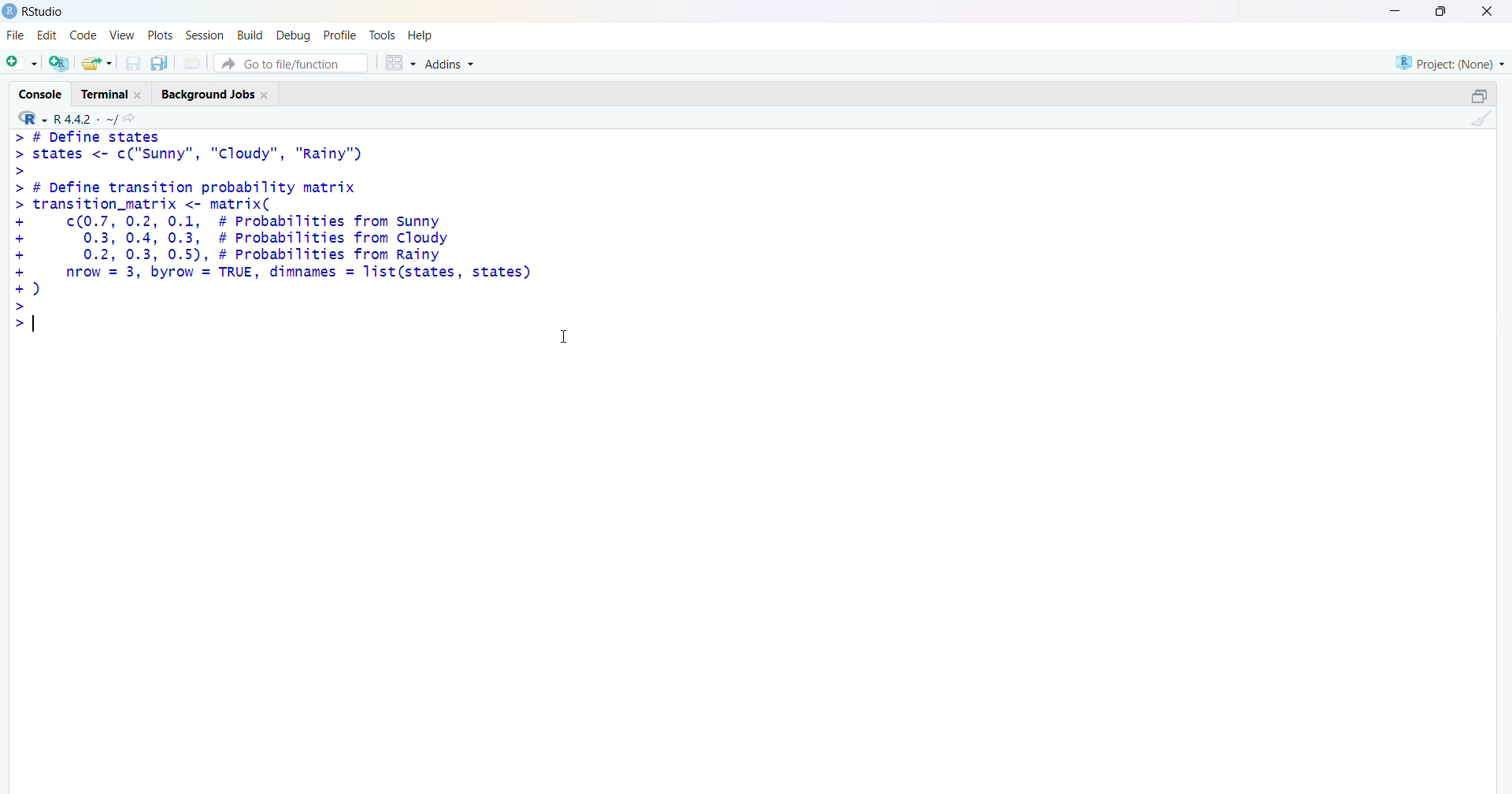  Describe the element at coordinates (68, 117) in the screenshot. I see `R 4.4.2` at that location.